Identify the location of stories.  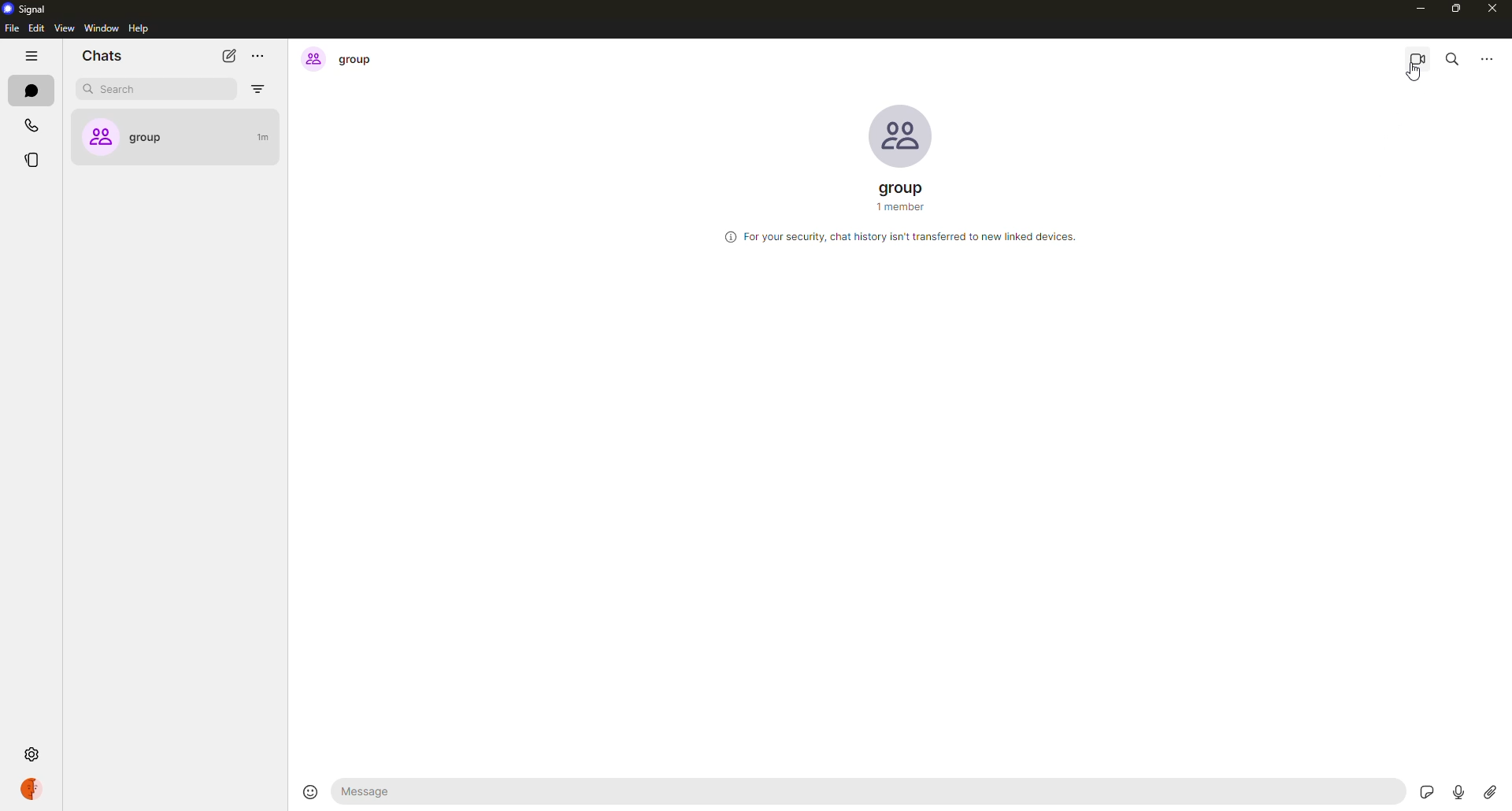
(34, 159).